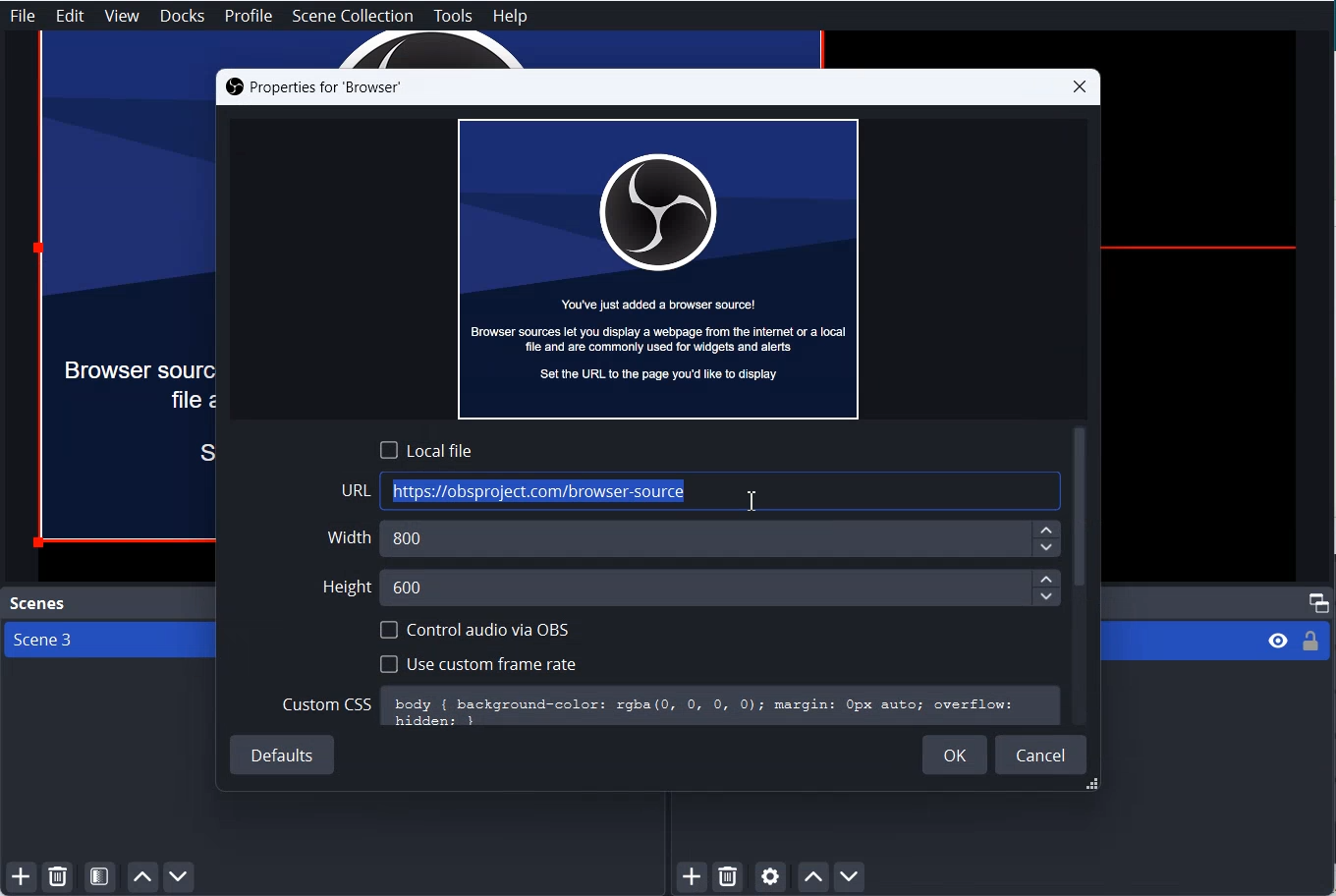  Describe the element at coordinates (354, 16) in the screenshot. I see `Scene Collection` at that location.